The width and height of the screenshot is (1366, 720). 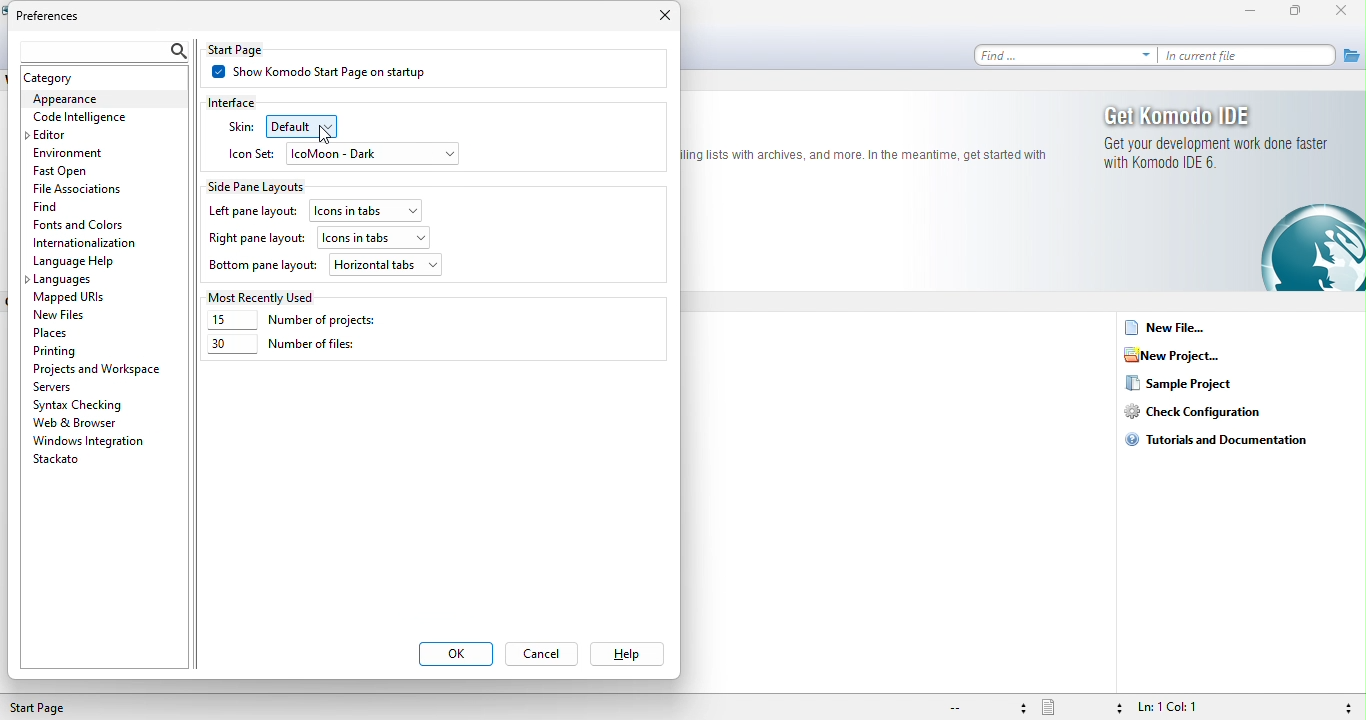 I want to click on help, so click(x=625, y=655).